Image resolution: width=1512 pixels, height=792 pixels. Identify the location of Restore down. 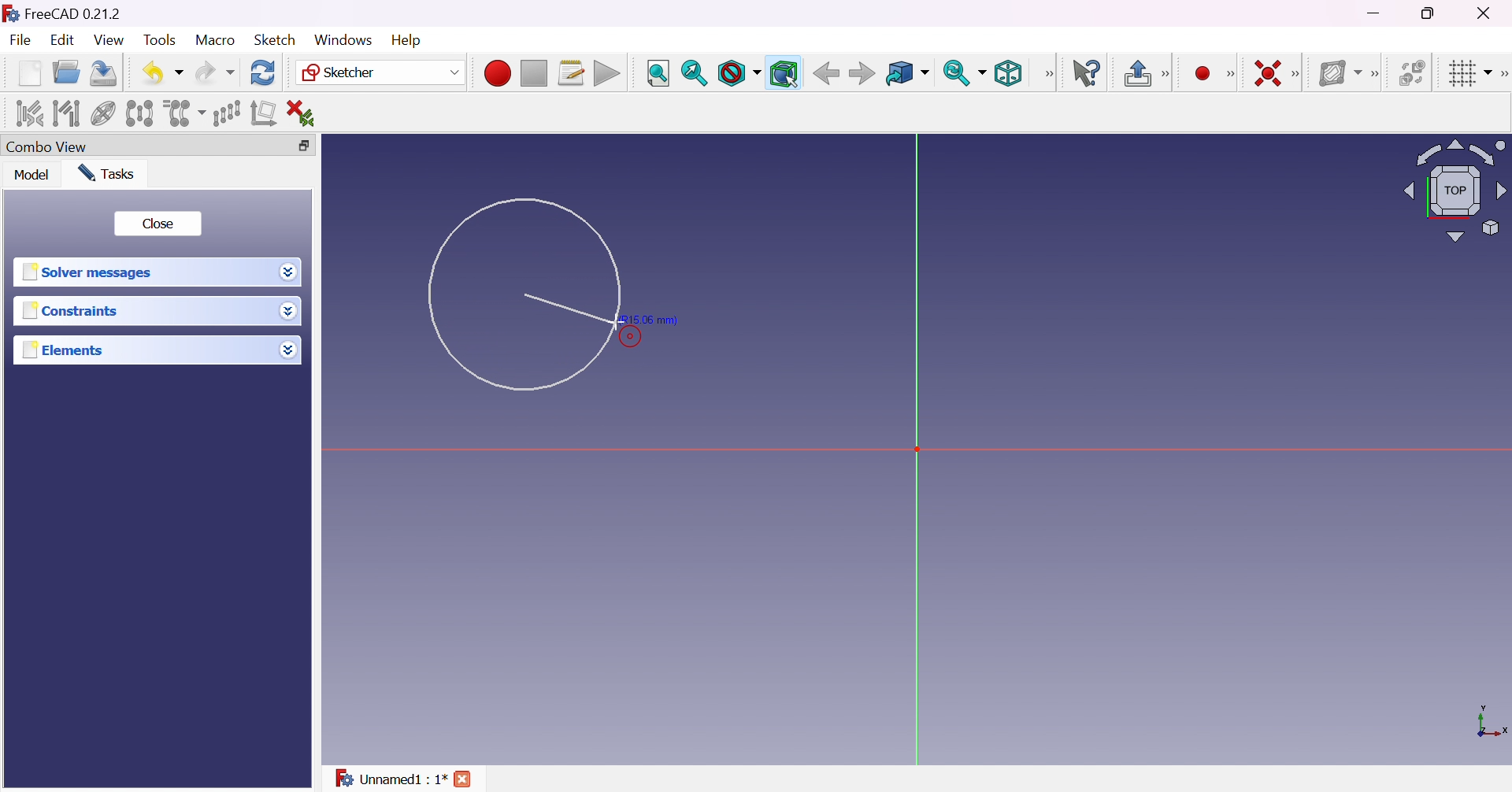
(299, 146).